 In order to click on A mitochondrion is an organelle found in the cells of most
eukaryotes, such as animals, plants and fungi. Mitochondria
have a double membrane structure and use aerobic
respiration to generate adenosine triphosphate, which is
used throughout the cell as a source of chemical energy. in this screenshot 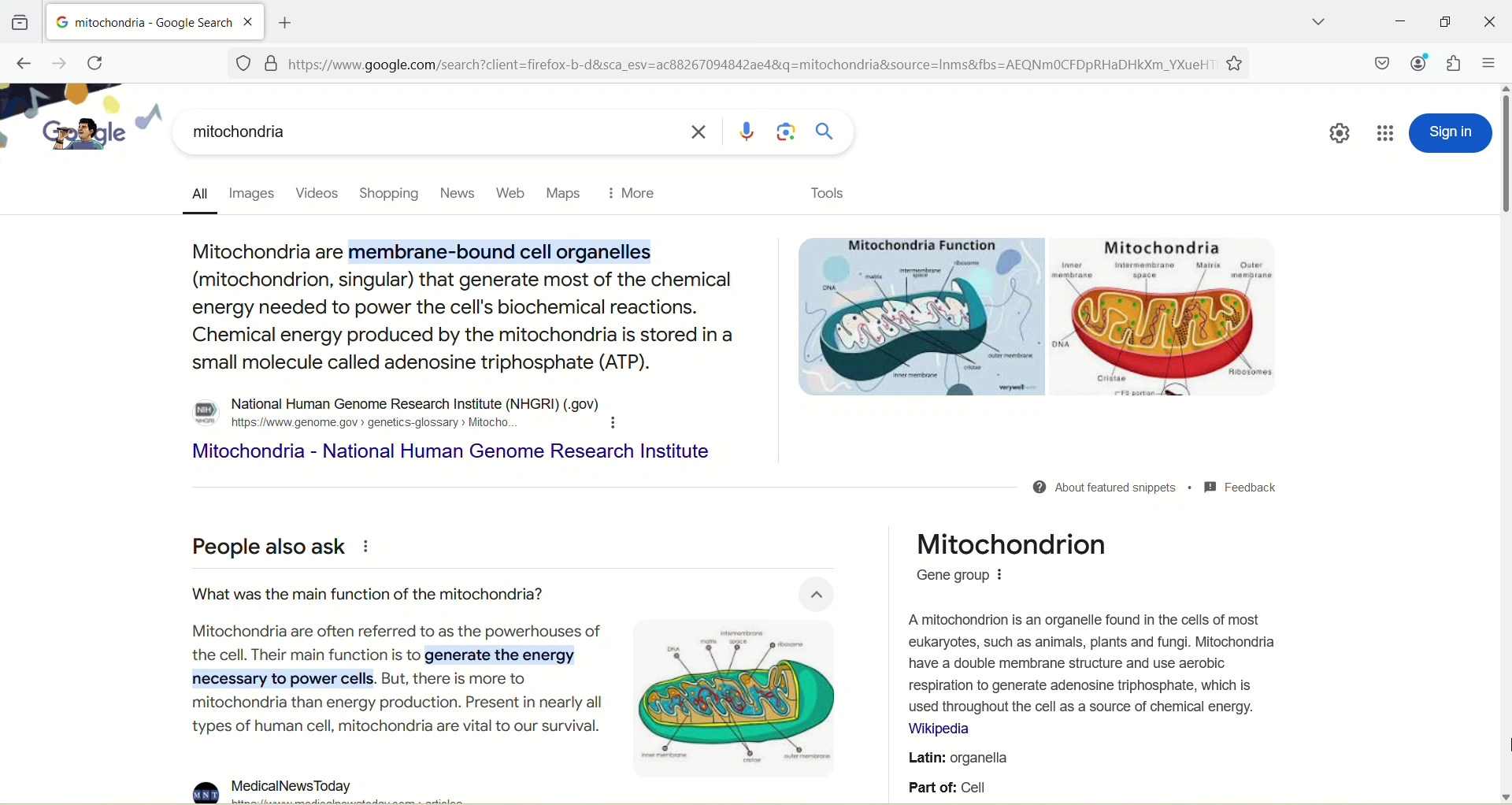, I will do `click(1091, 662)`.